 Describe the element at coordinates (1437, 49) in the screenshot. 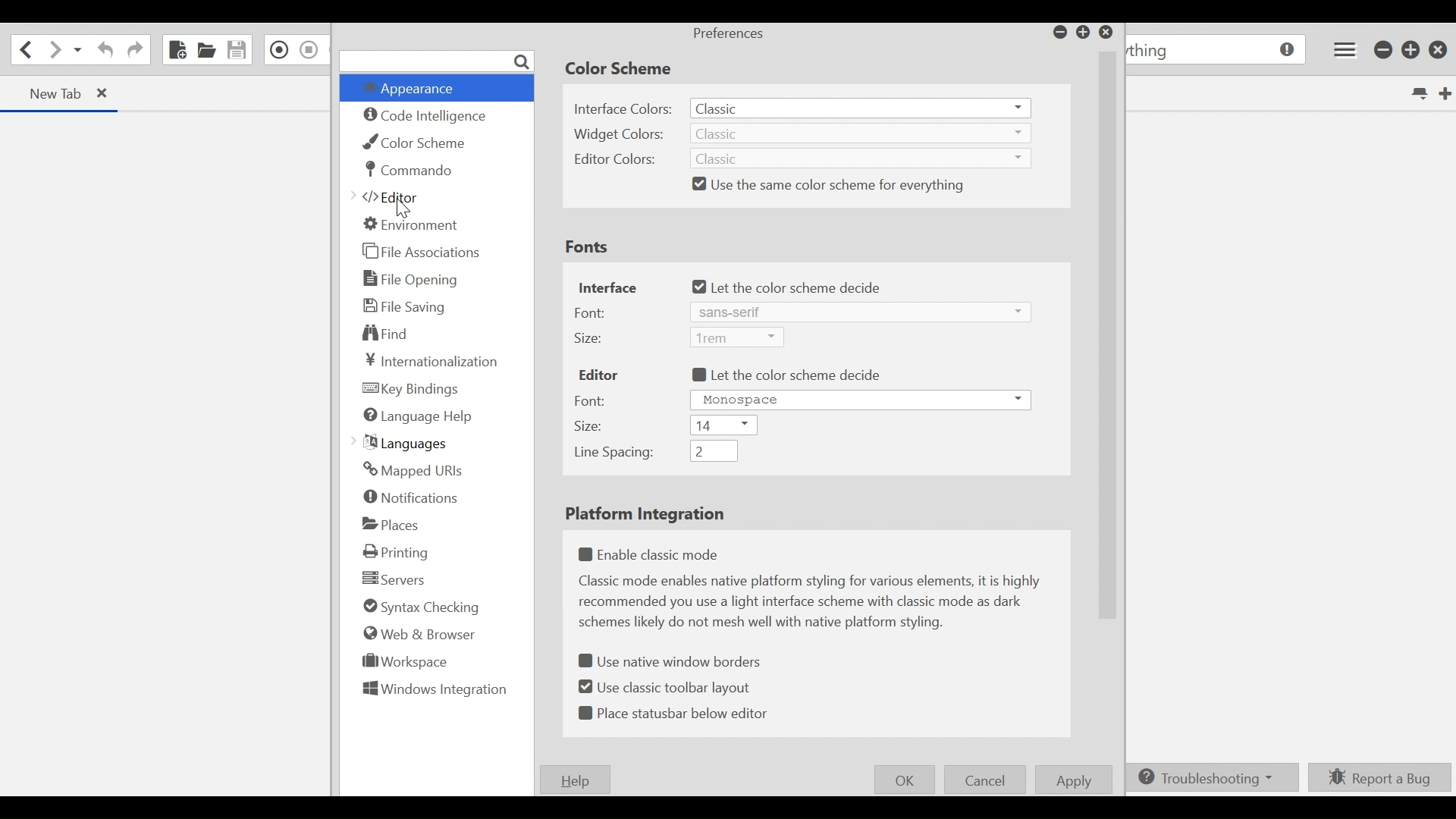

I see `Close` at that location.